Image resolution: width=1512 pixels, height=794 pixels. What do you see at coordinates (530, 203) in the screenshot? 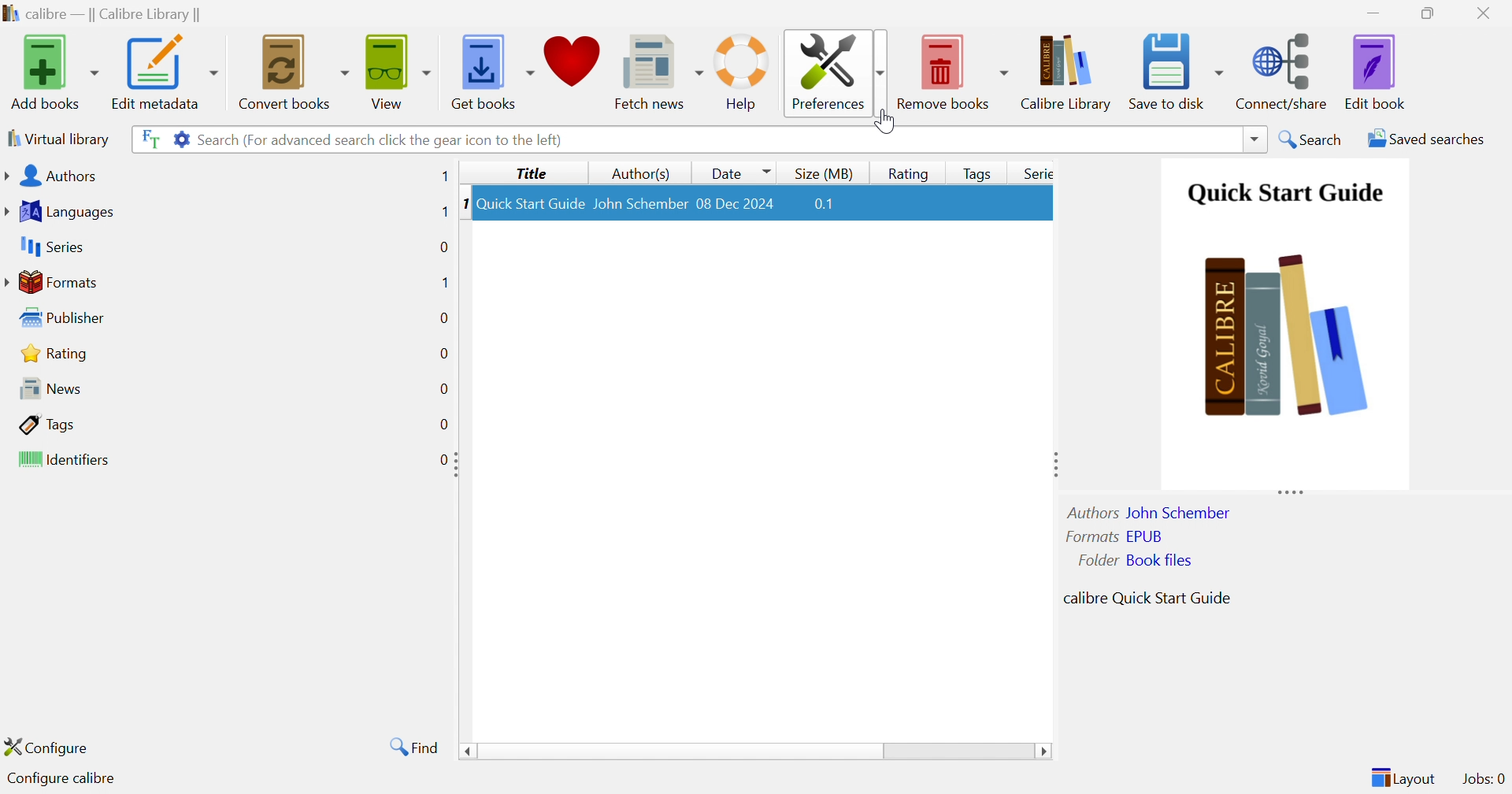
I see `Quick Start Guide` at bounding box center [530, 203].